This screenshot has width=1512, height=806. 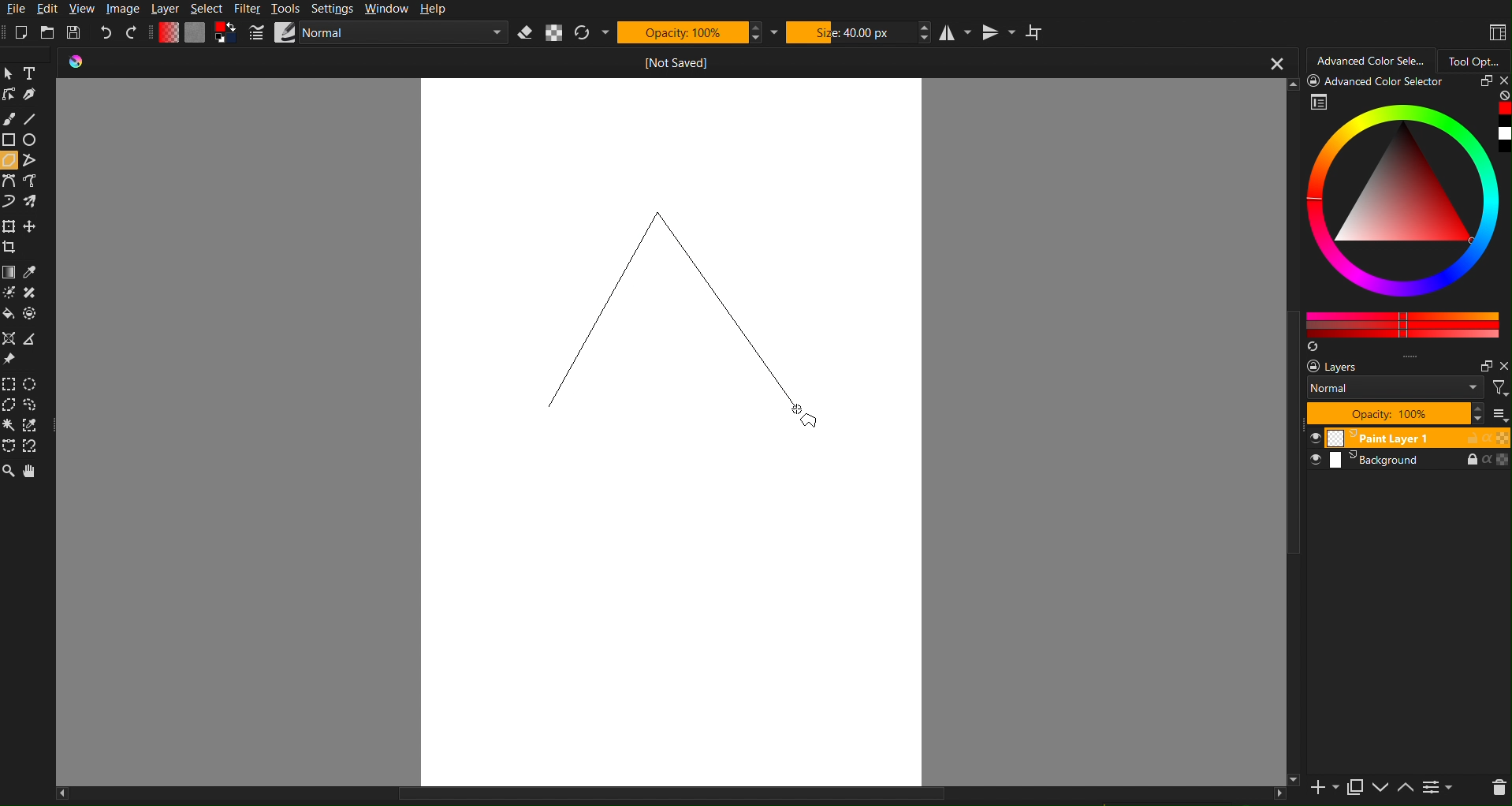 What do you see at coordinates (1503, 366) in the screenshot?
I see `close pane` at bounding box center [1503, 366].